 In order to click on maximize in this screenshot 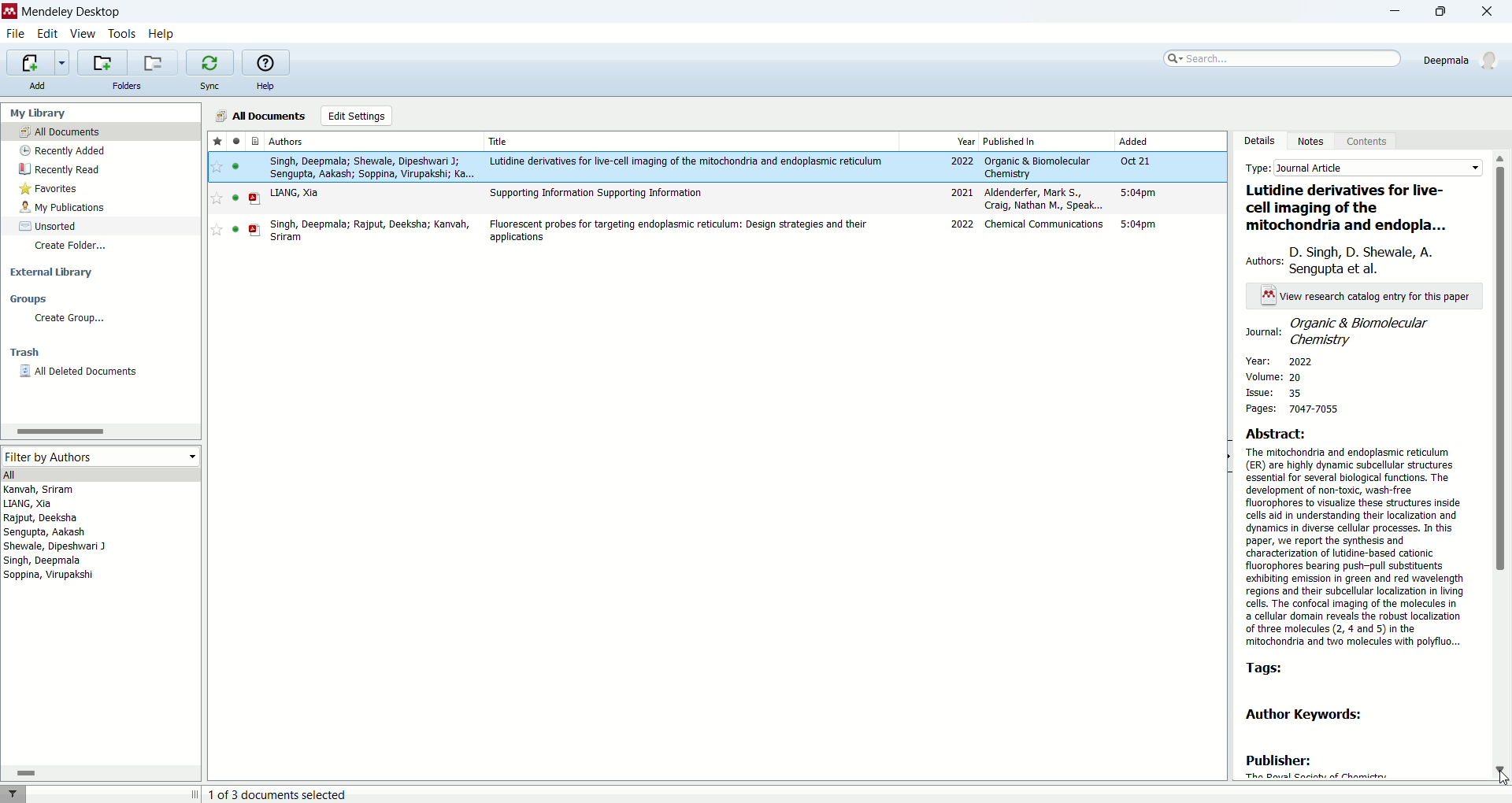, I will do `click(1447, 11)`.